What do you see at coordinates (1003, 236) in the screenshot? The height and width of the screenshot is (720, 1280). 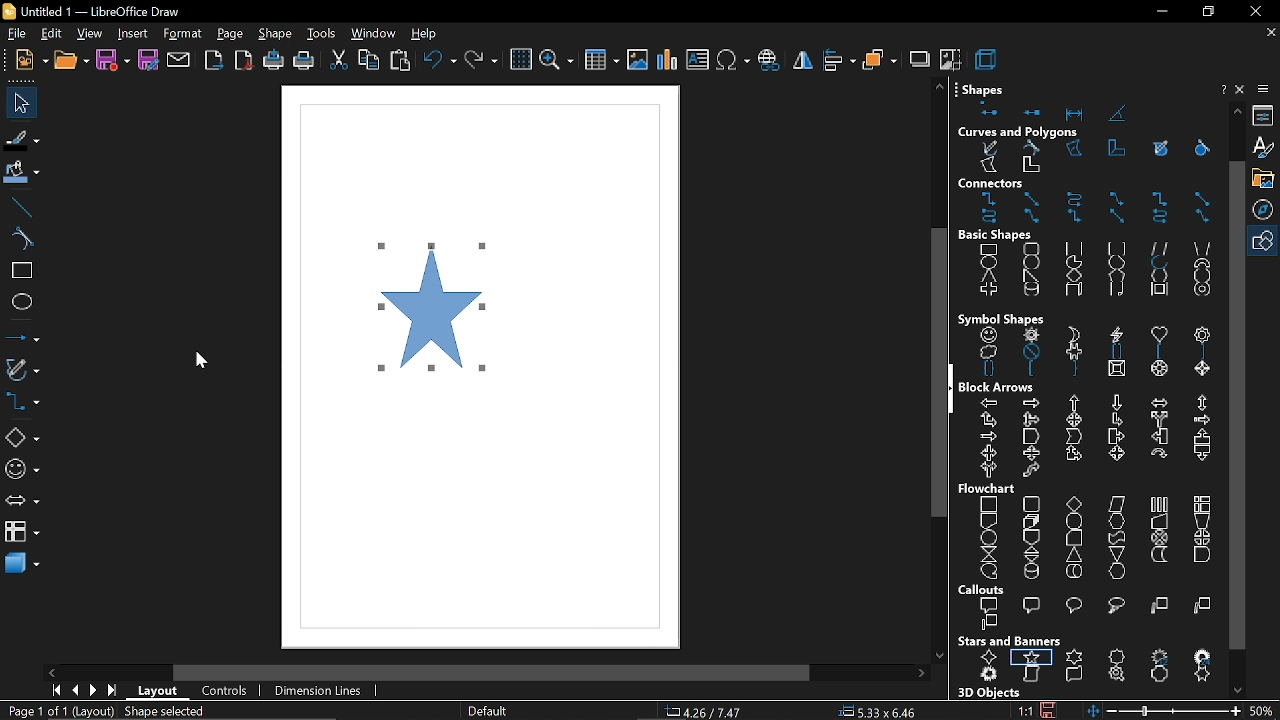 I see `basic shapes` at bounding box center [1003, 236].